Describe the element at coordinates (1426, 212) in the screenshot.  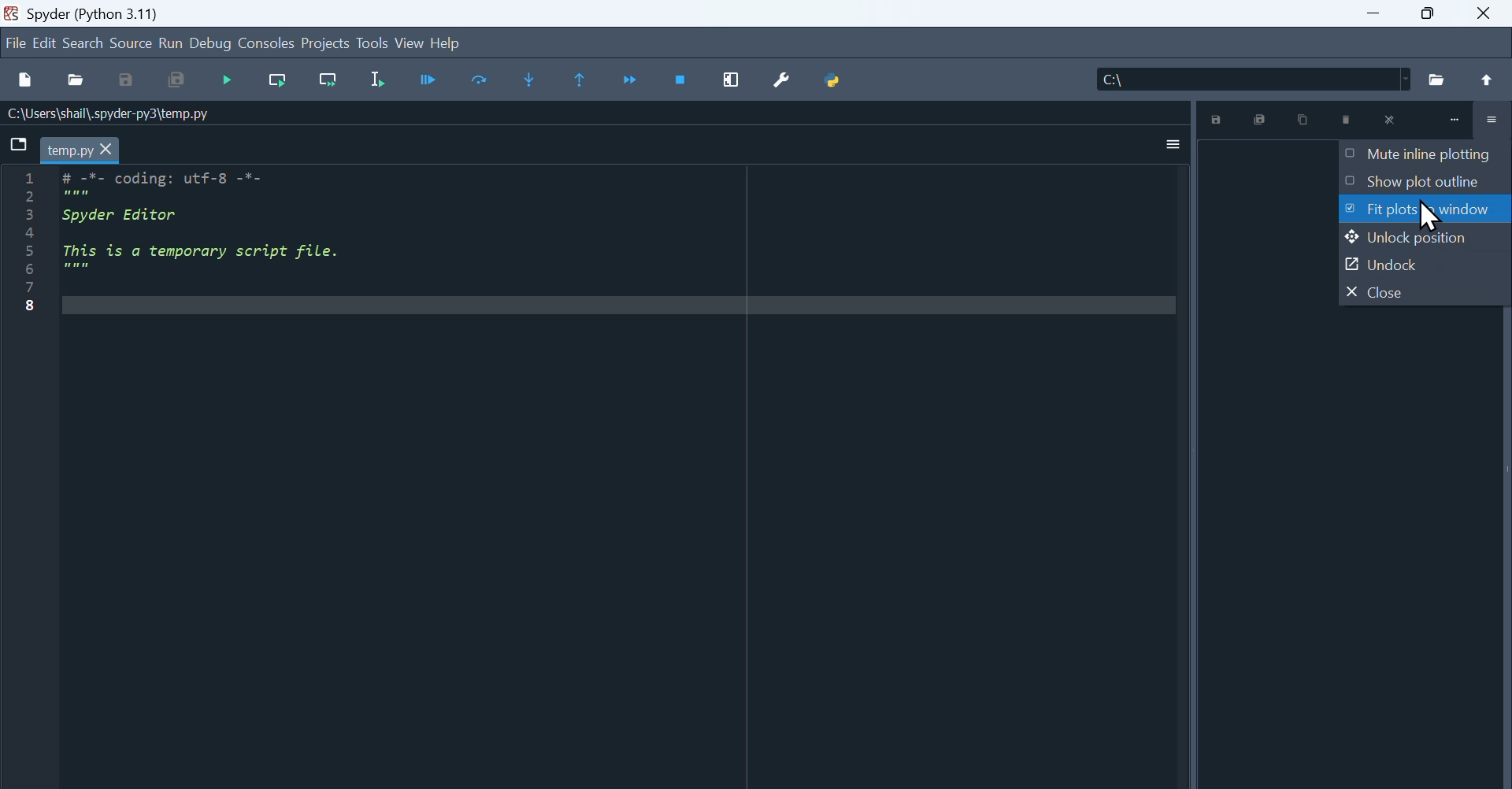
I see `Fit plots in window` at that location.